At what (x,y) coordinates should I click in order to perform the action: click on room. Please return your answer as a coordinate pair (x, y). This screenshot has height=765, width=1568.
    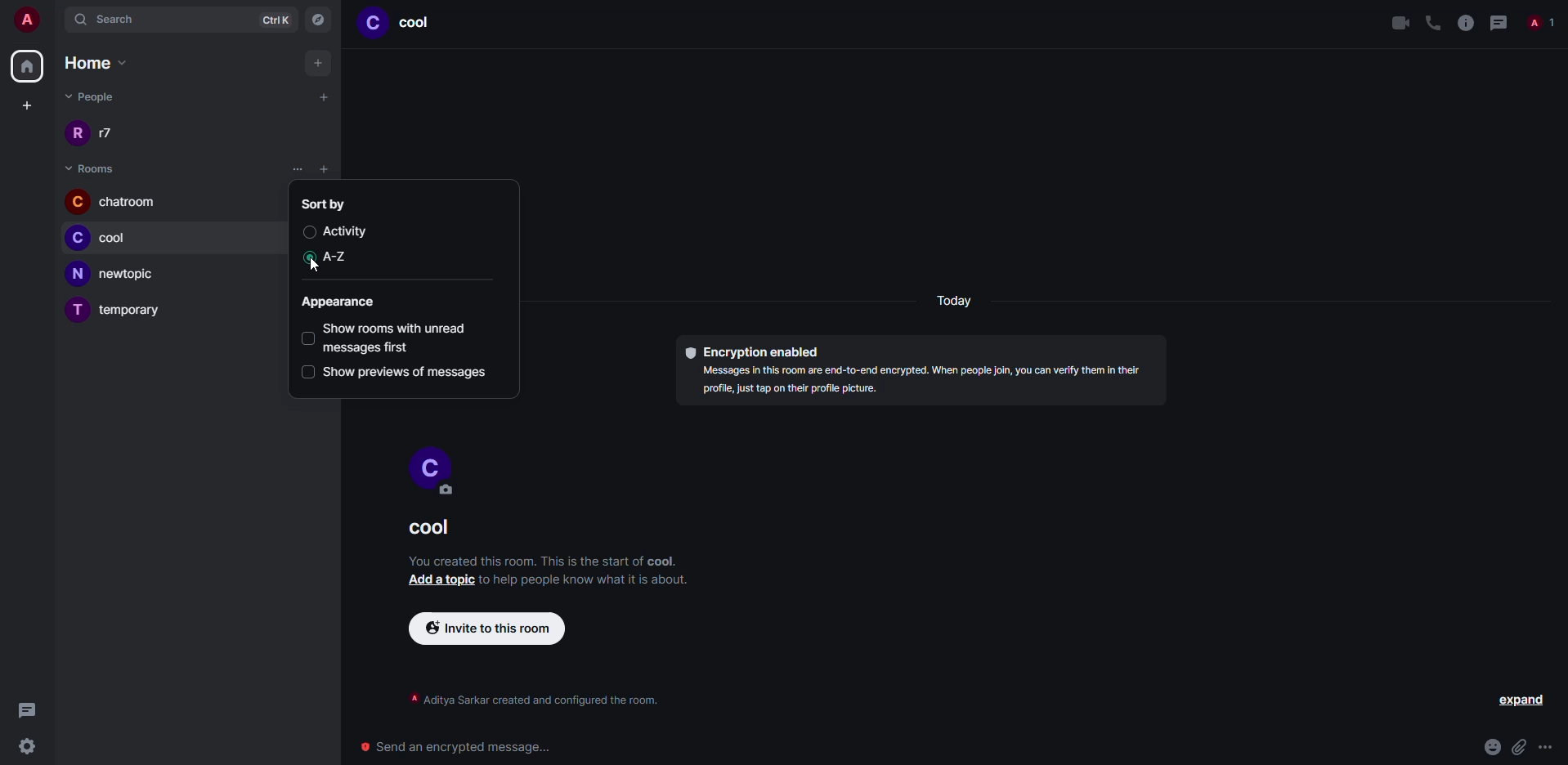
    Looking at the image, I should click on (419, 24).